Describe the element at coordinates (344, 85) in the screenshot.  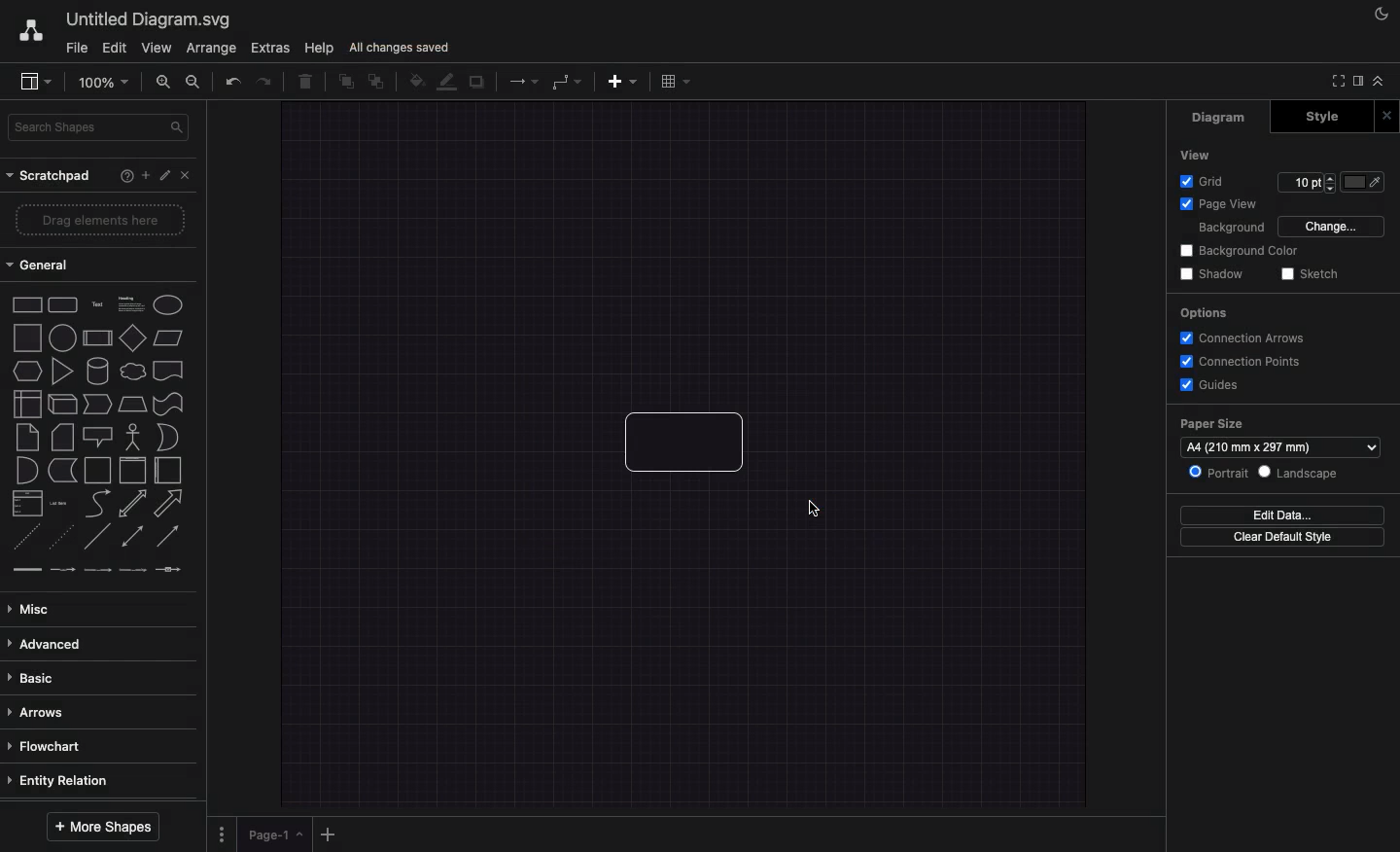
I see `To front` at that location.